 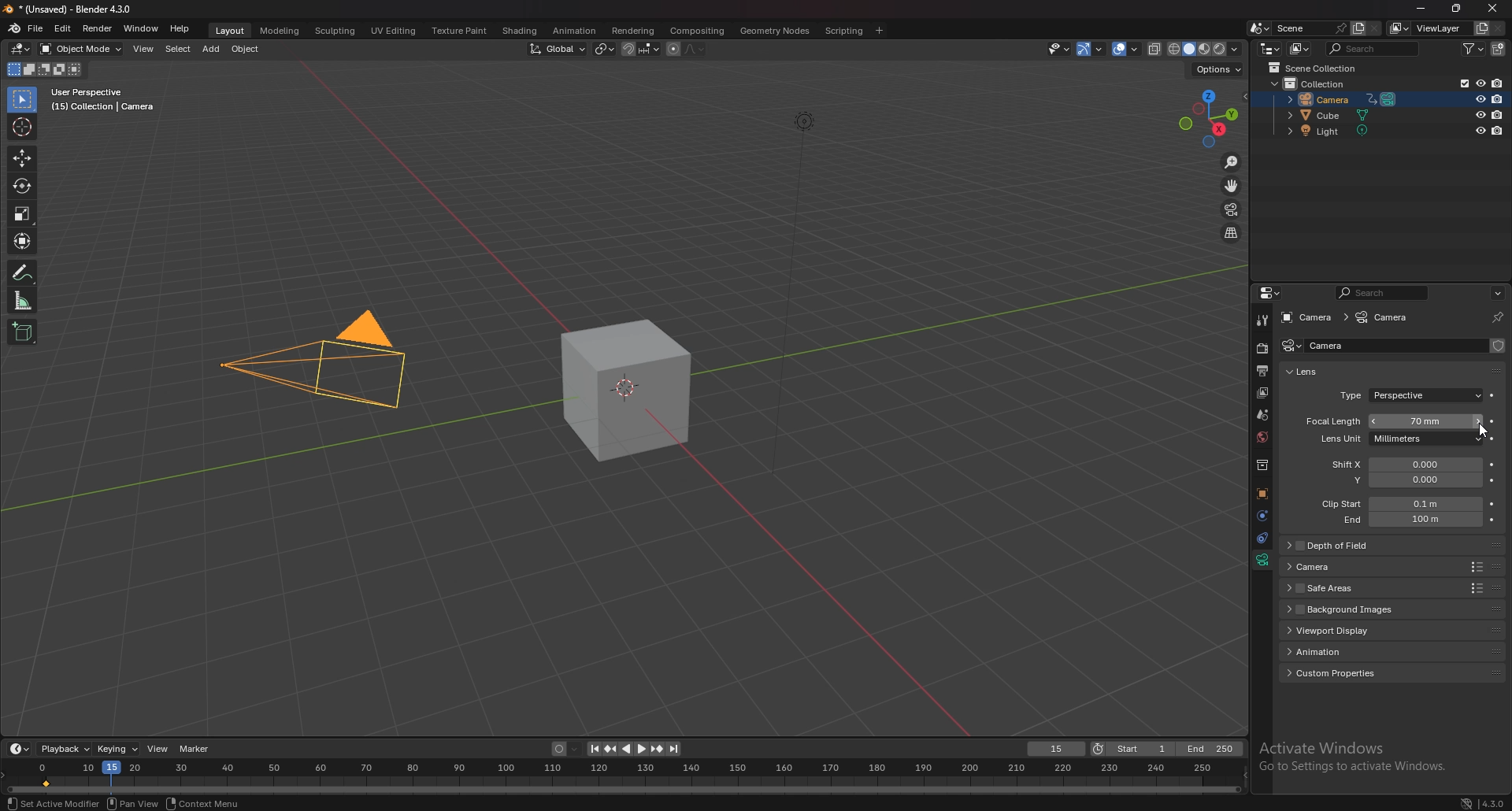 What do you see at coordinates (157, 749) in the screenshot?
I see `view` at bounding box center [157, 749].